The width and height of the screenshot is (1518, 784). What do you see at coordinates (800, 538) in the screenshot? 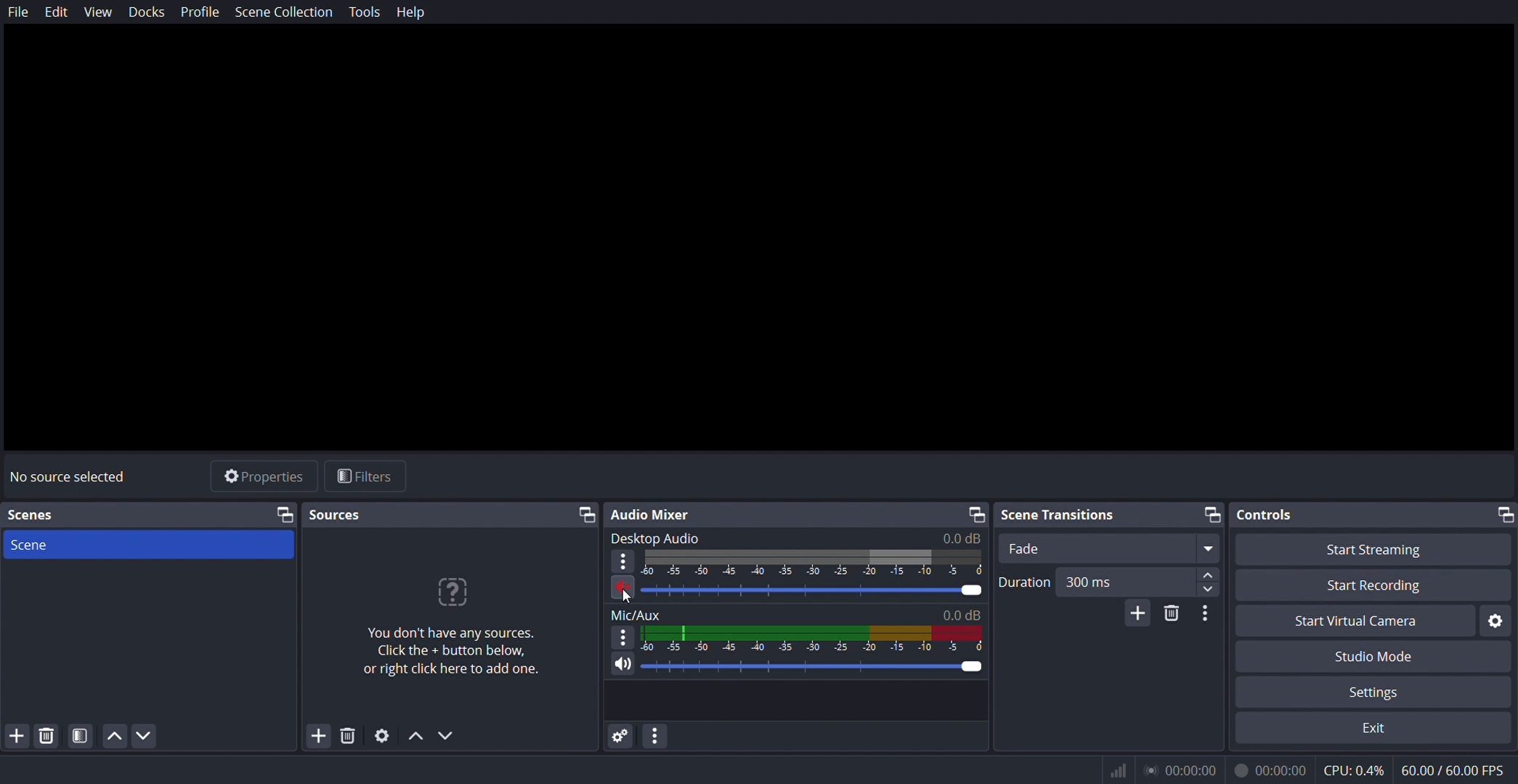
I see `desktop audio` at bounding box center [800, 538].